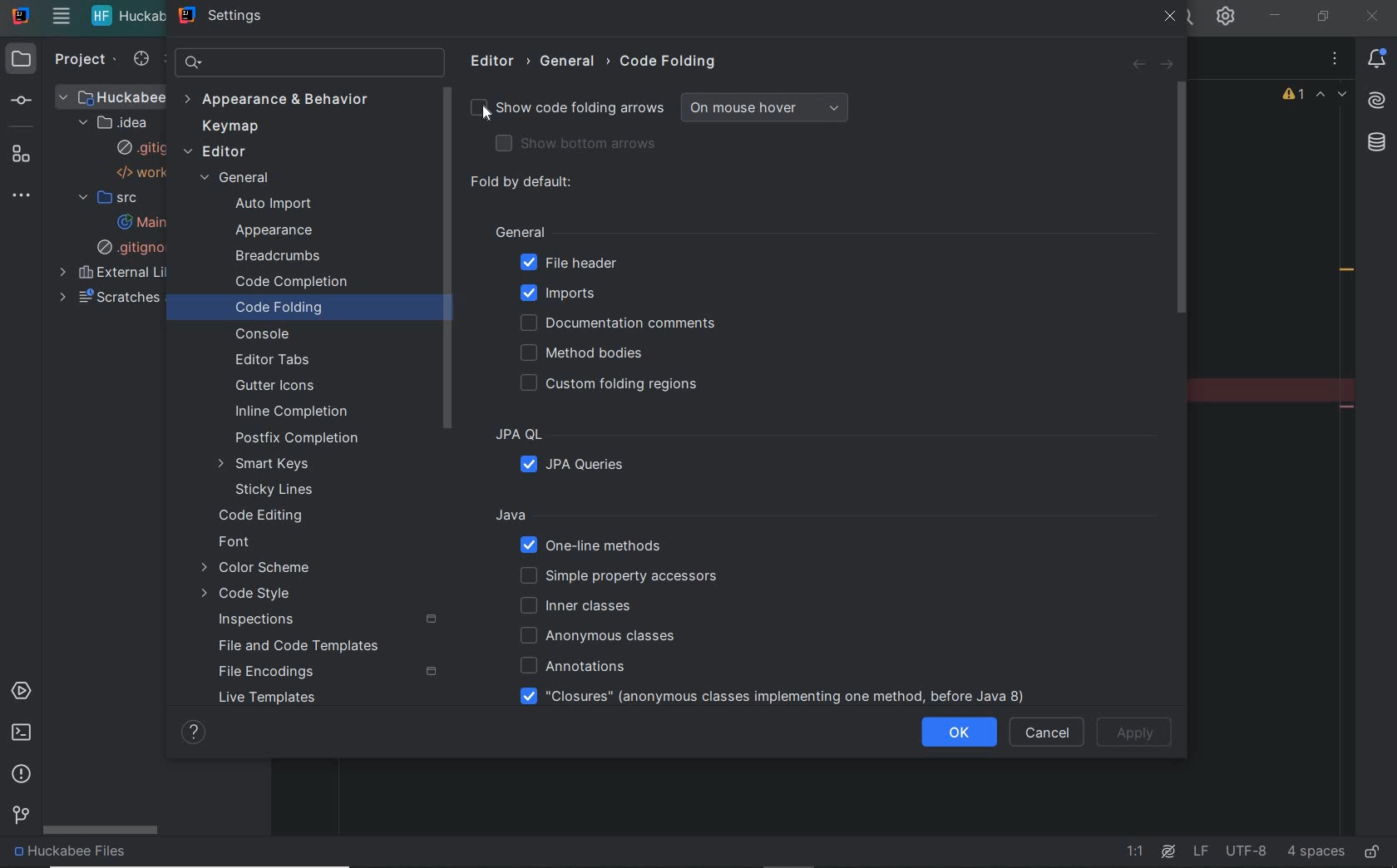 This screenshot has height=868, width=1397. What do you see at coordinates (280, 101) in the screenshot?
I see `appearance and behavior` at bounding box center [280, 101].